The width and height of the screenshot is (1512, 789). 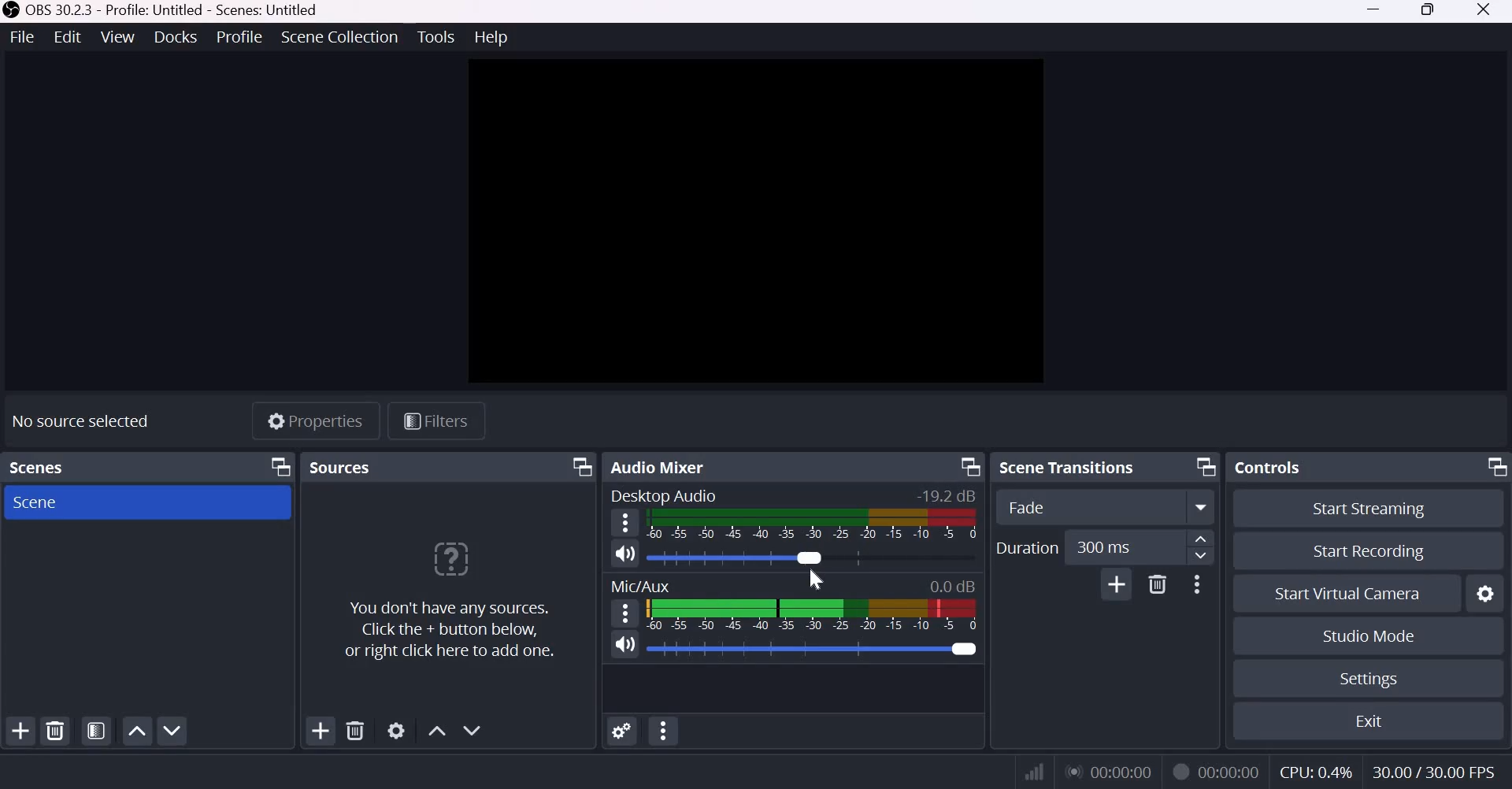 What do you see at coordinates (448, 602) in the screenshot?
I see `You don't have any sources. Click the + button below, or right click here to add one` at bounding box center [448, 602].